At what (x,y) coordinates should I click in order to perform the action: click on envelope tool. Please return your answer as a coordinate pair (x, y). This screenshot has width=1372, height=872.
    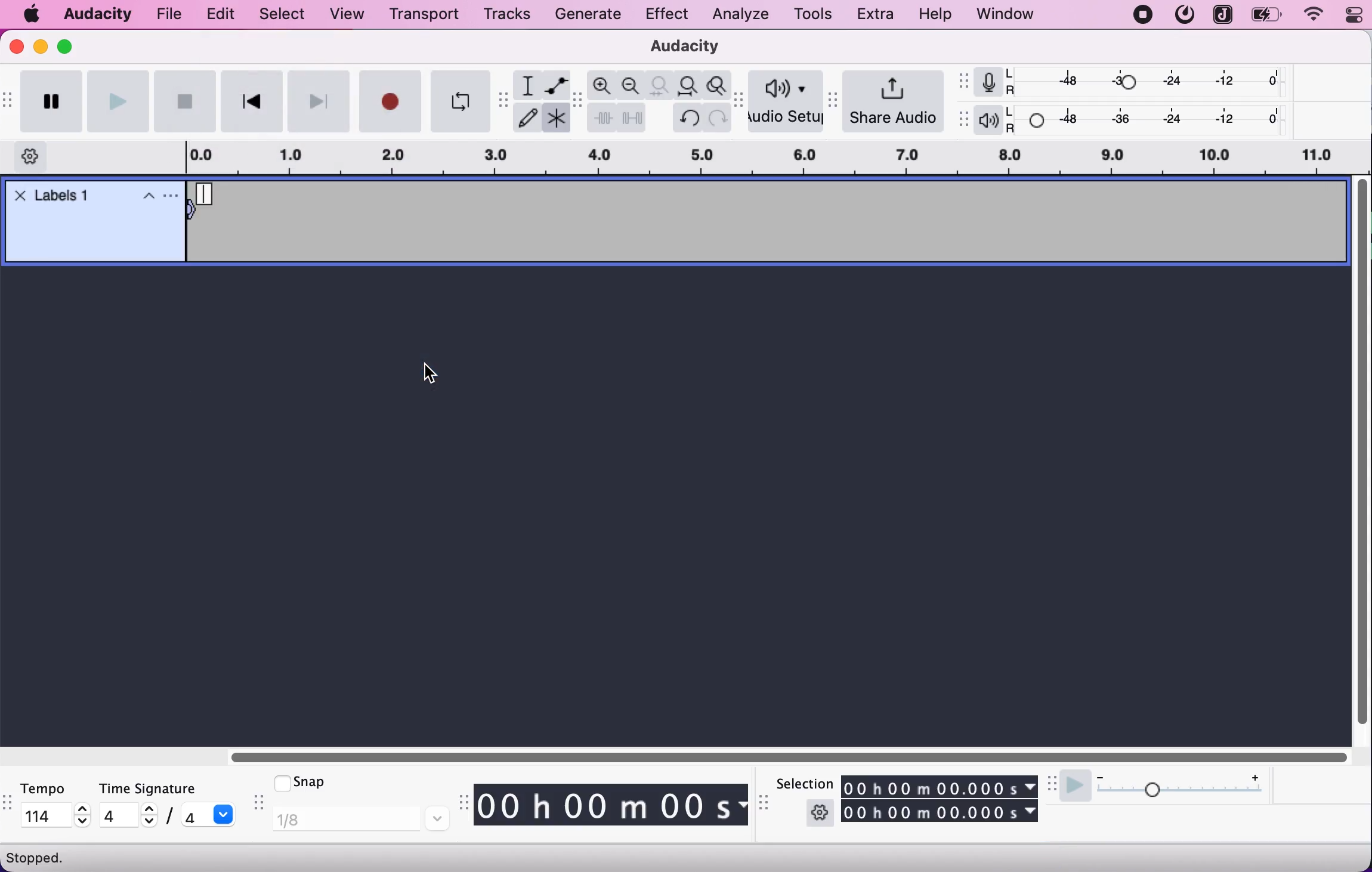
    Looking at the image, I should click on (555, 85).